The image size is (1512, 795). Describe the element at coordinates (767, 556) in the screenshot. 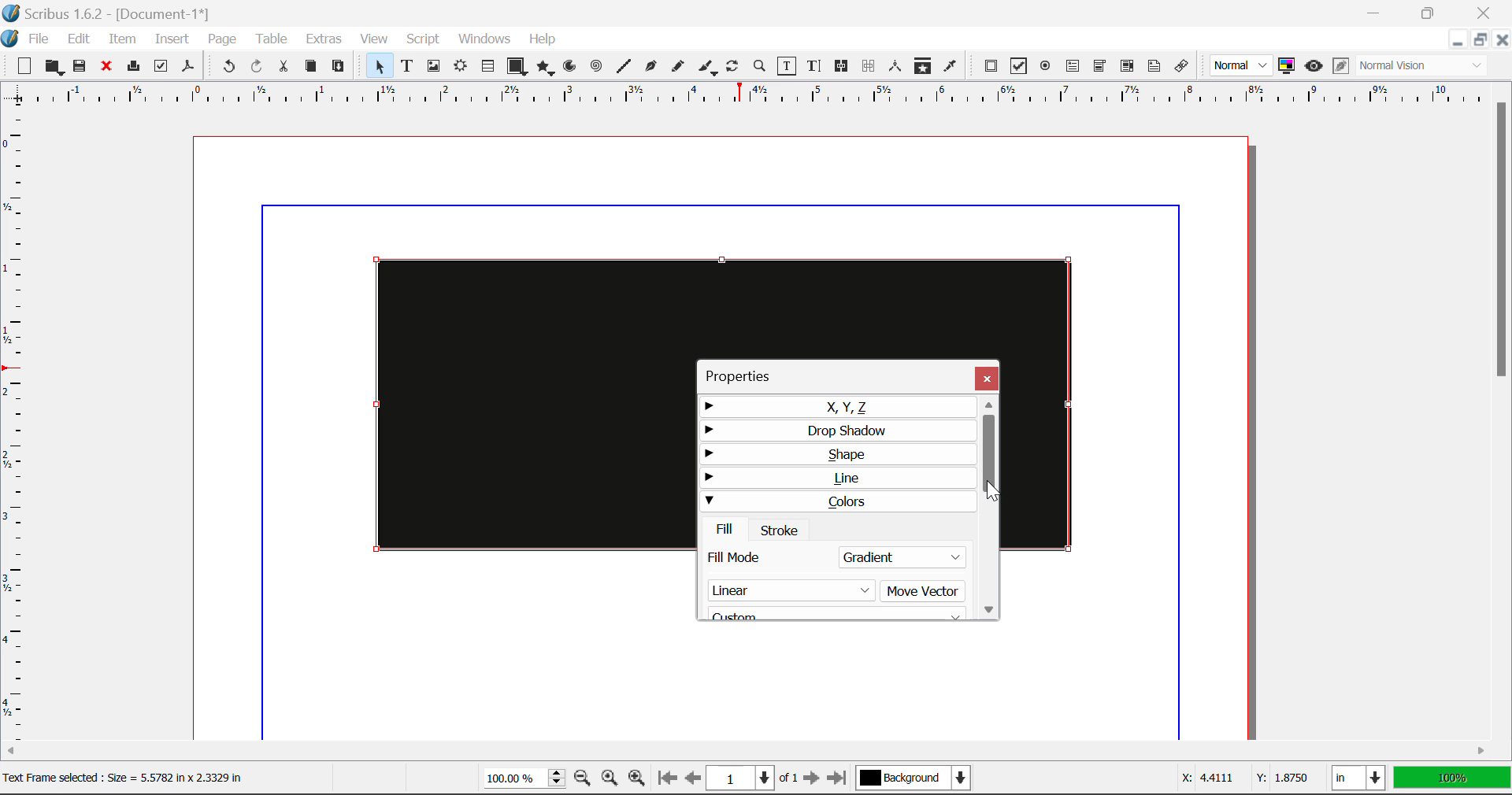

I see `Fill Mode` at that location.